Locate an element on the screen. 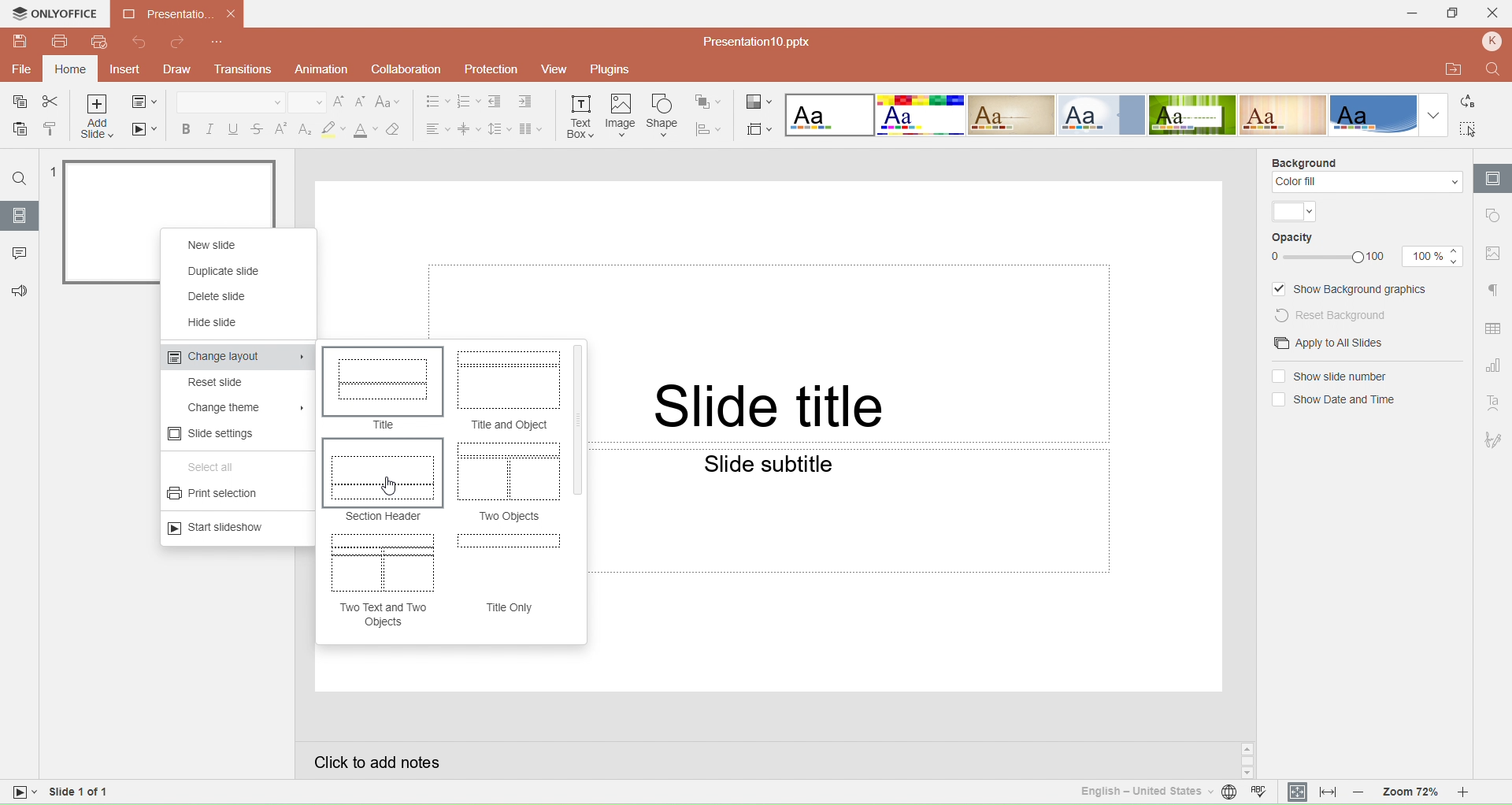 Image resolution: width=1512 pixels, height=805 pixels. Apply to all slides is located at coordinates (1323, 343).